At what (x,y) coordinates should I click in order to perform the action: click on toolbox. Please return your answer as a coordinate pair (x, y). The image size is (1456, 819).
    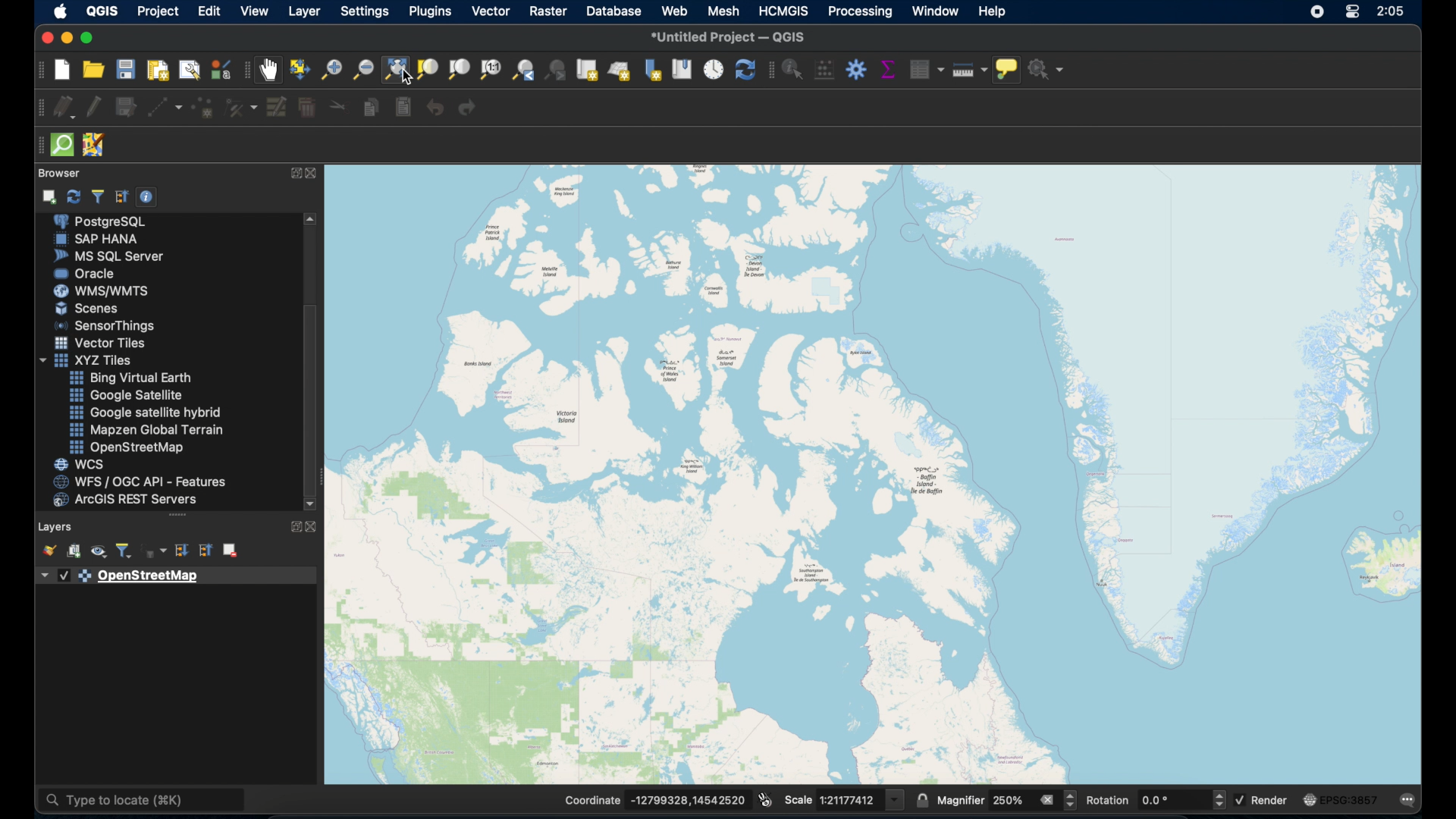
    Looking at the image, I should click on (858, 69).